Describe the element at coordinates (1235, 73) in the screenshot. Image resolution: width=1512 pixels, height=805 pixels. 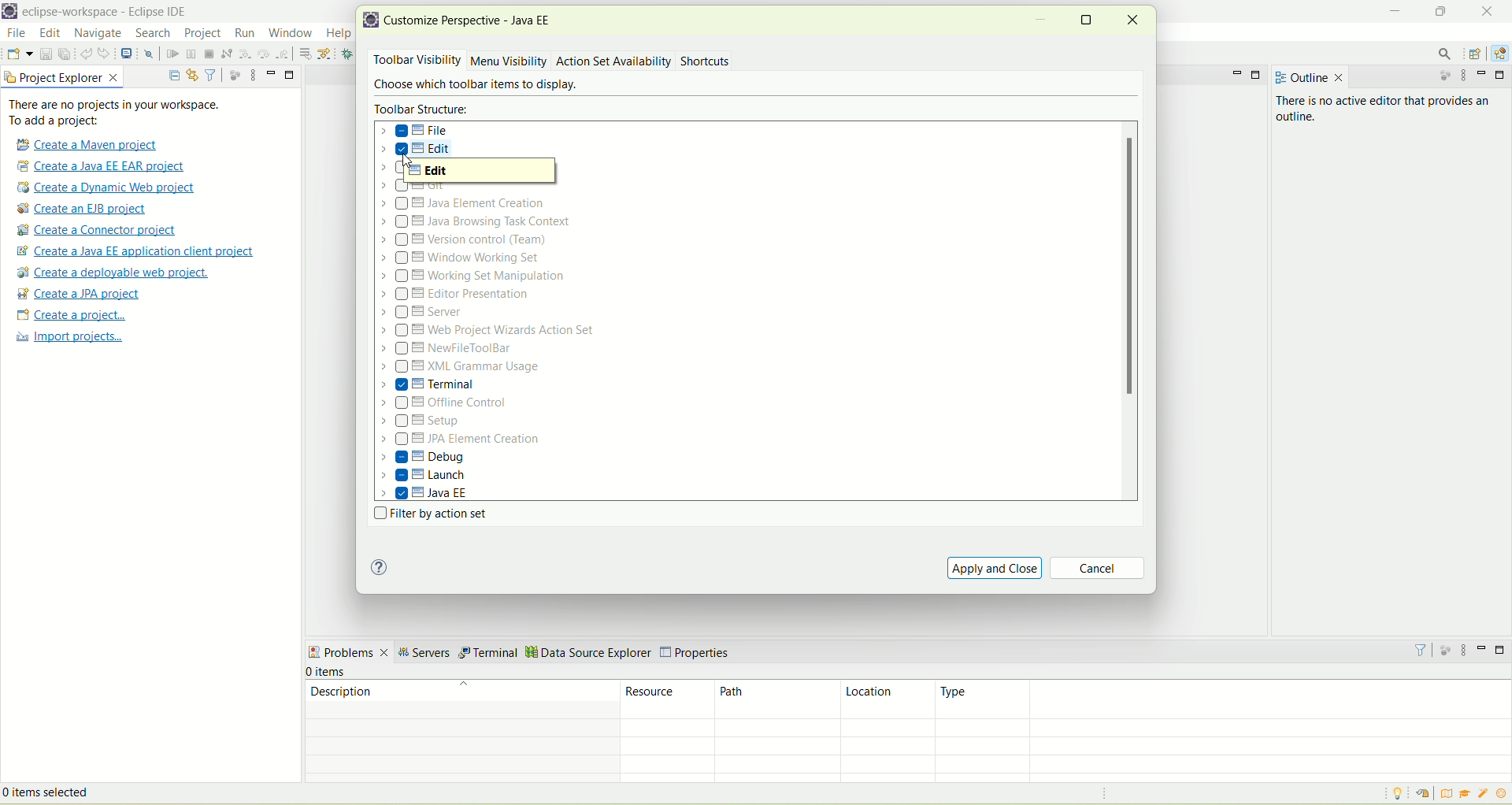
I see `minimize` at that location.